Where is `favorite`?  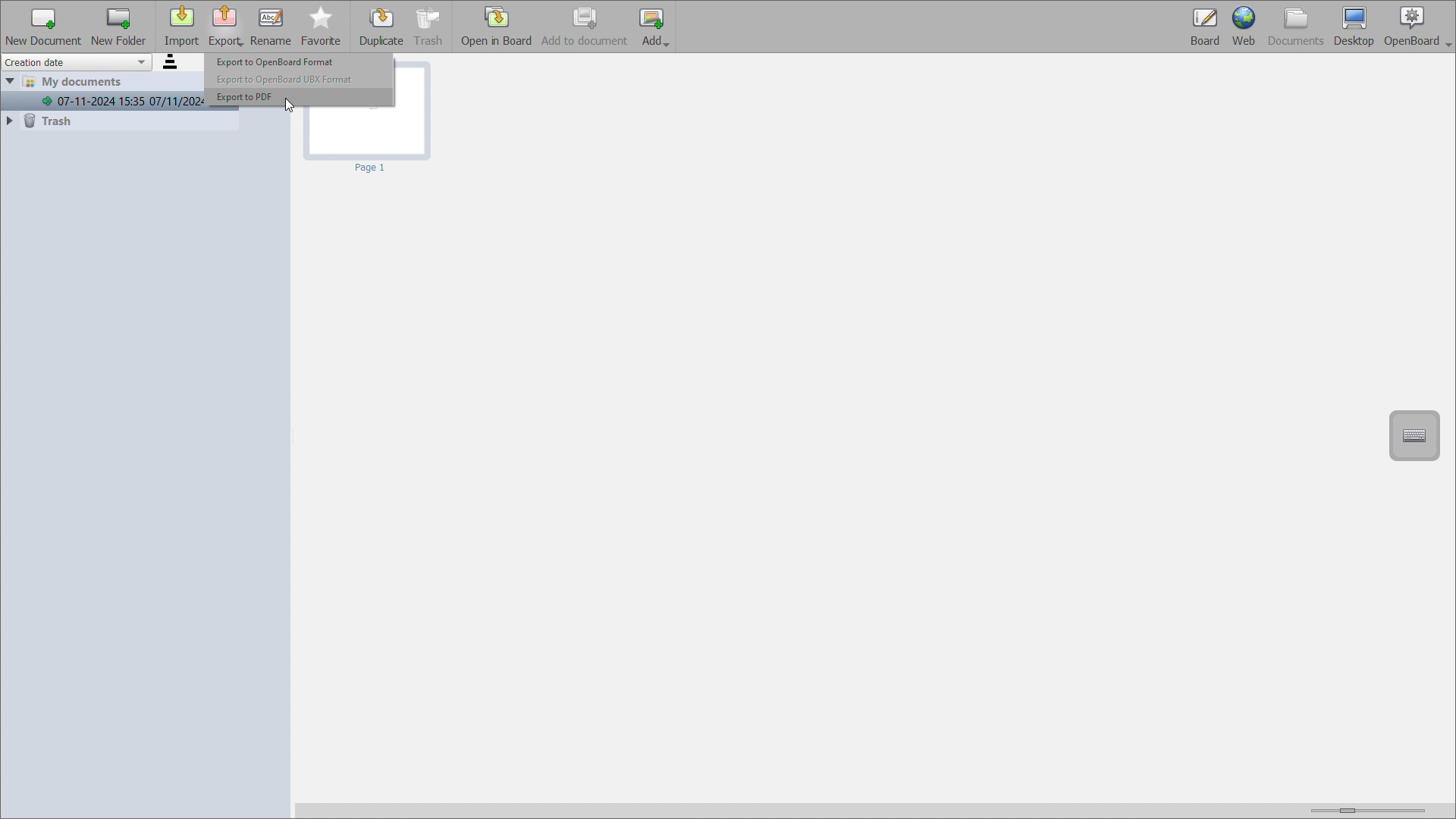
favorite is located at coordinates (322, 27).